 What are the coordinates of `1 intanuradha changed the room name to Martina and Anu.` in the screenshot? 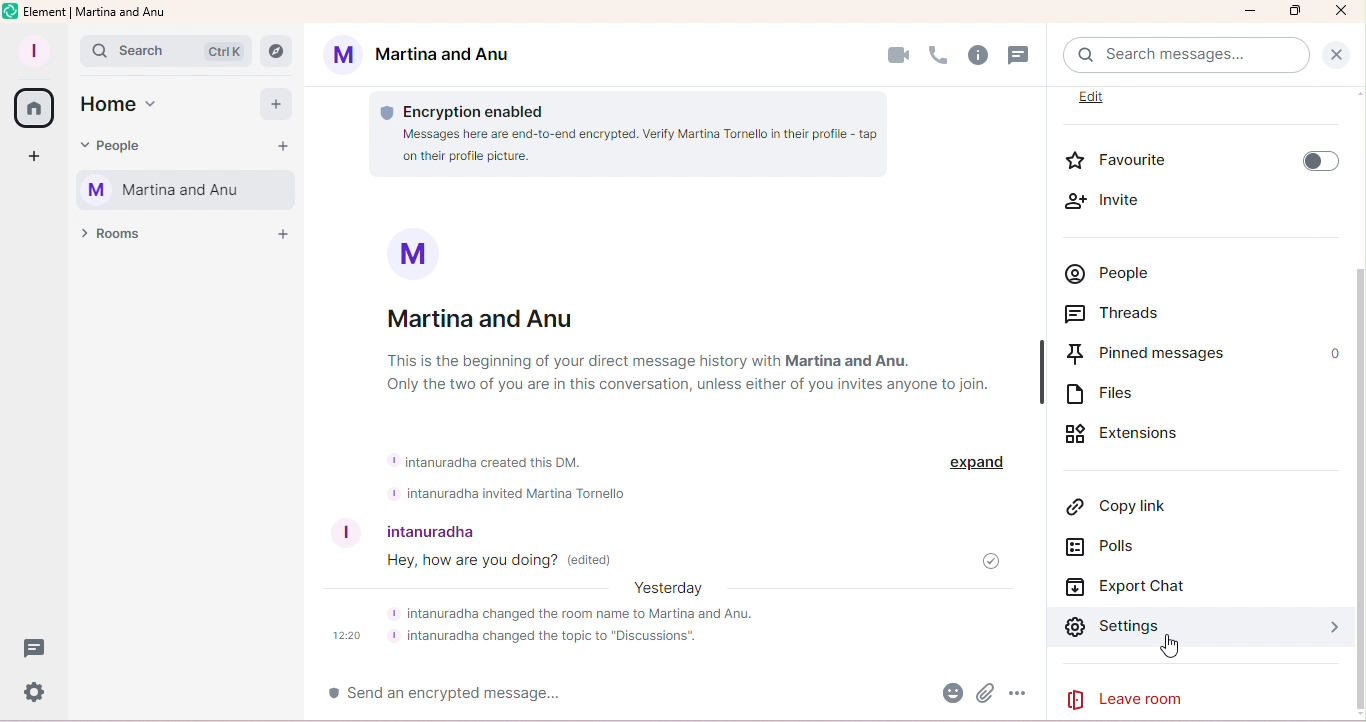 It's located at (599, 613).